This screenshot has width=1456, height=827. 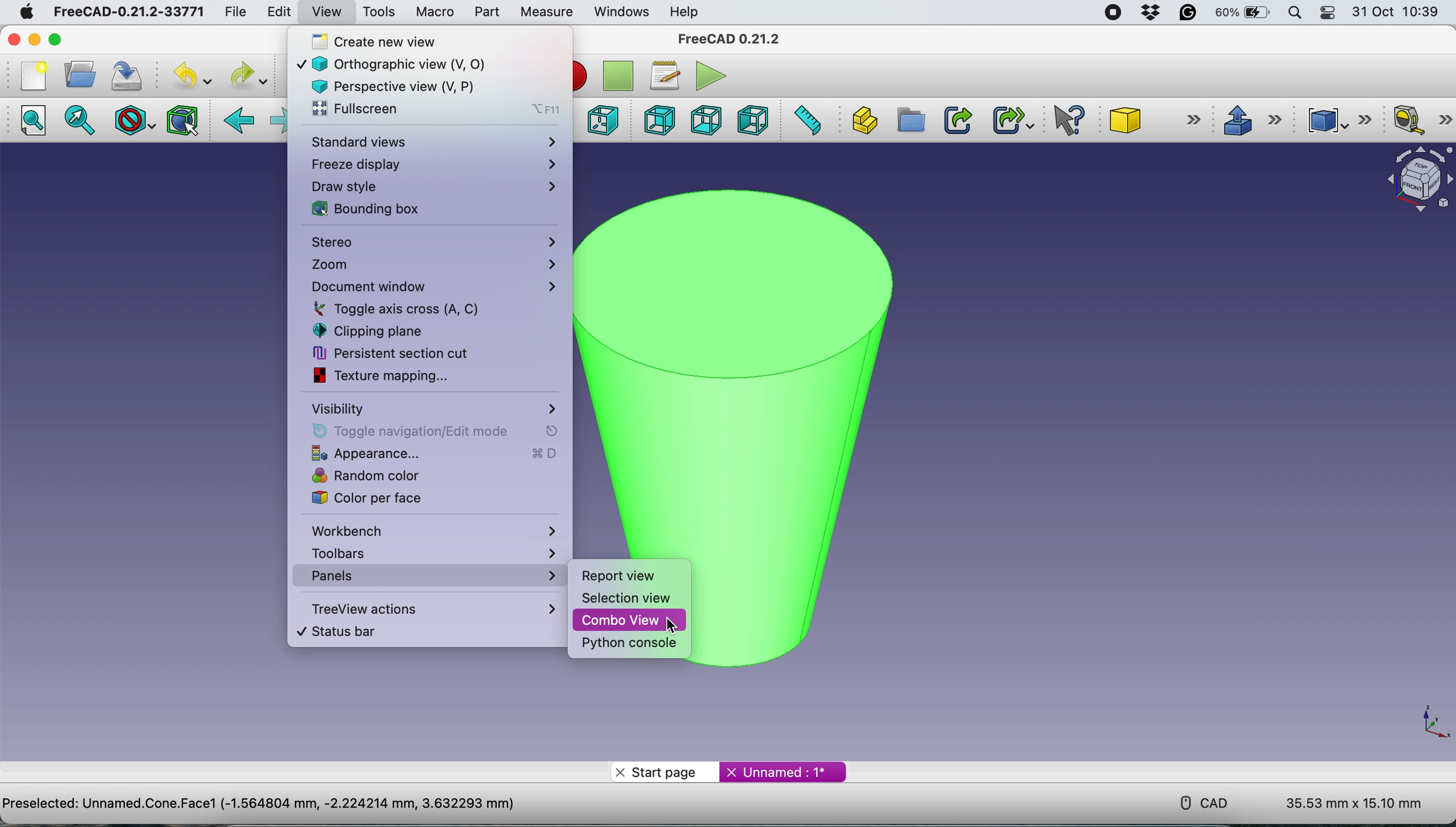 I want to click on back, so click(x=240, y=121).